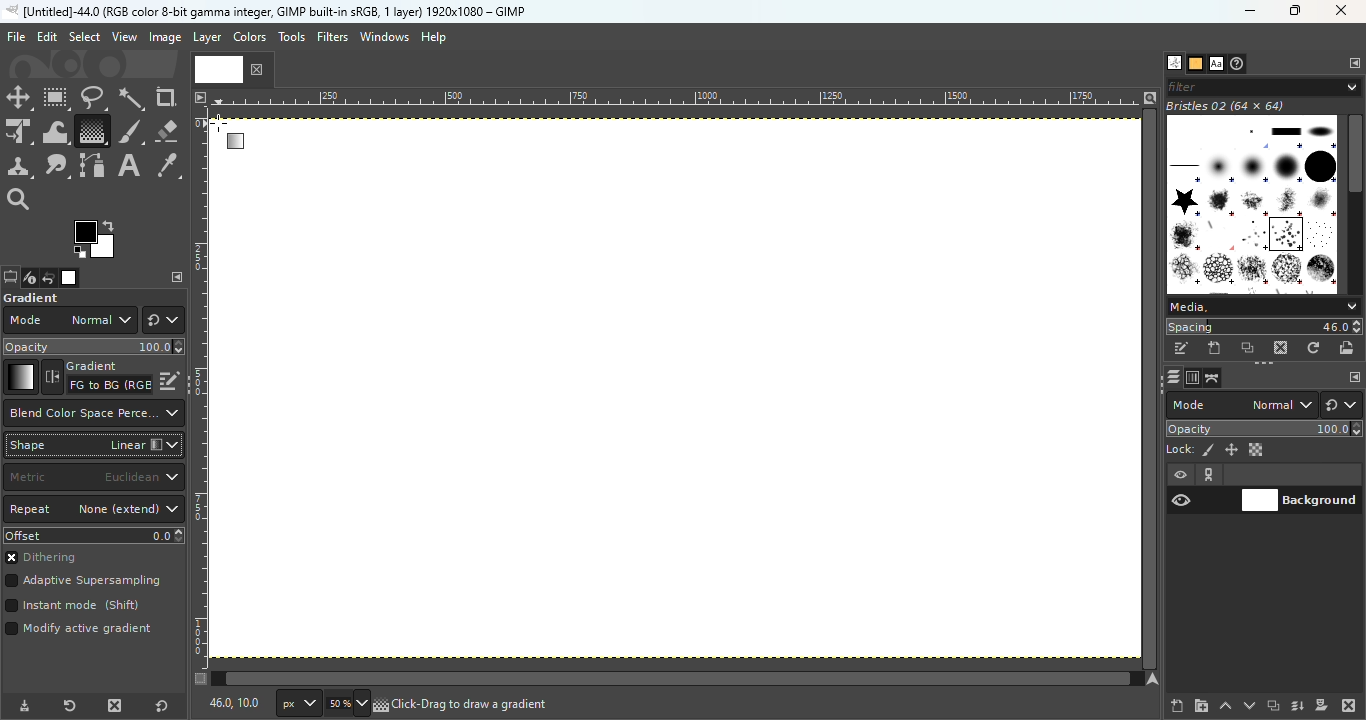 The width and height of the screenshot is (1366, 720). I want to click on Colors, so click(248, 36).